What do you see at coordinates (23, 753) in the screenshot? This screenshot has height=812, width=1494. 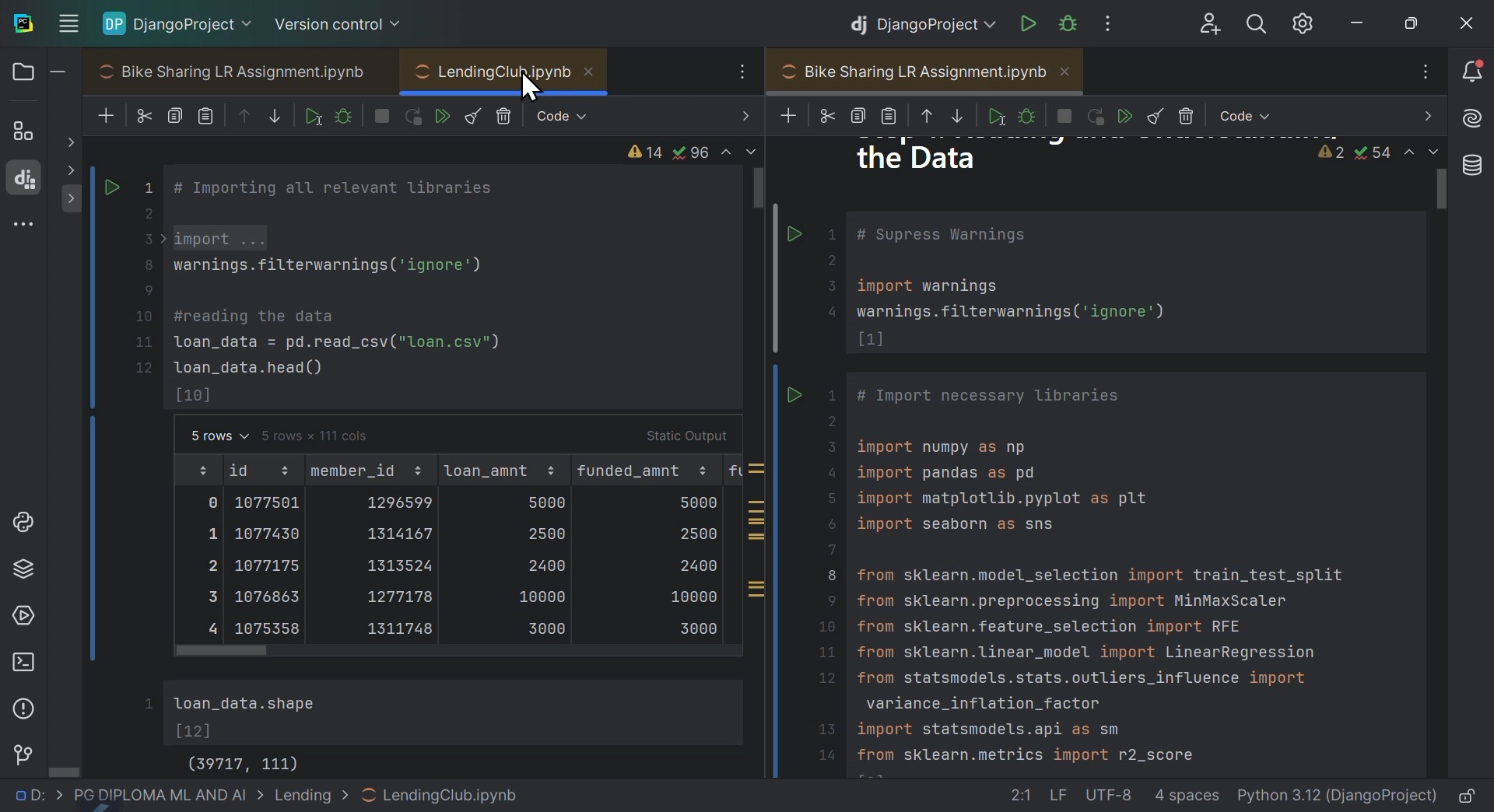 I see `Version control` at bounding box center [23, 753].